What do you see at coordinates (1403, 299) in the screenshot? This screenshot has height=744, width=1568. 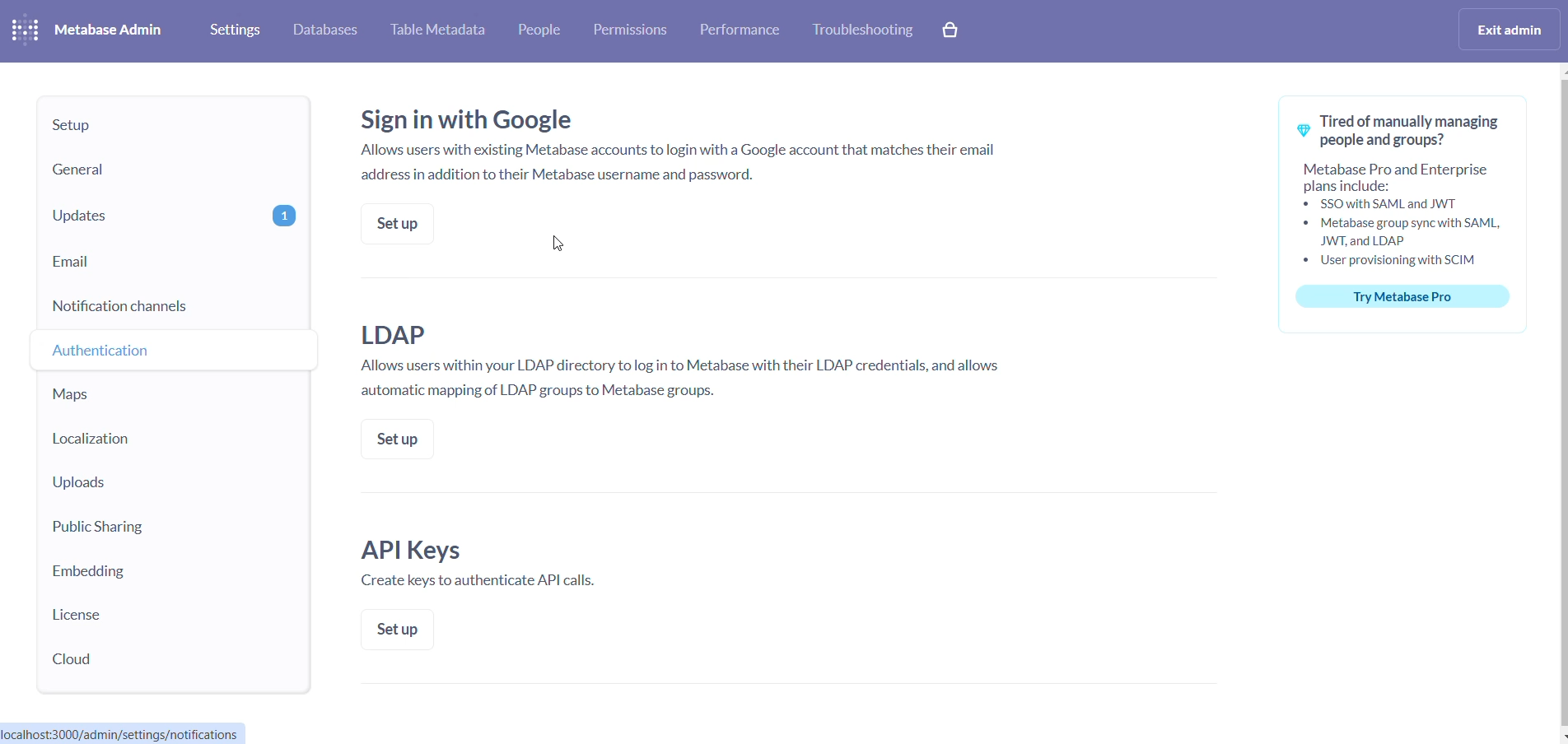 I see `TRY METABASE PRO` at bounding box center [1403, 299].